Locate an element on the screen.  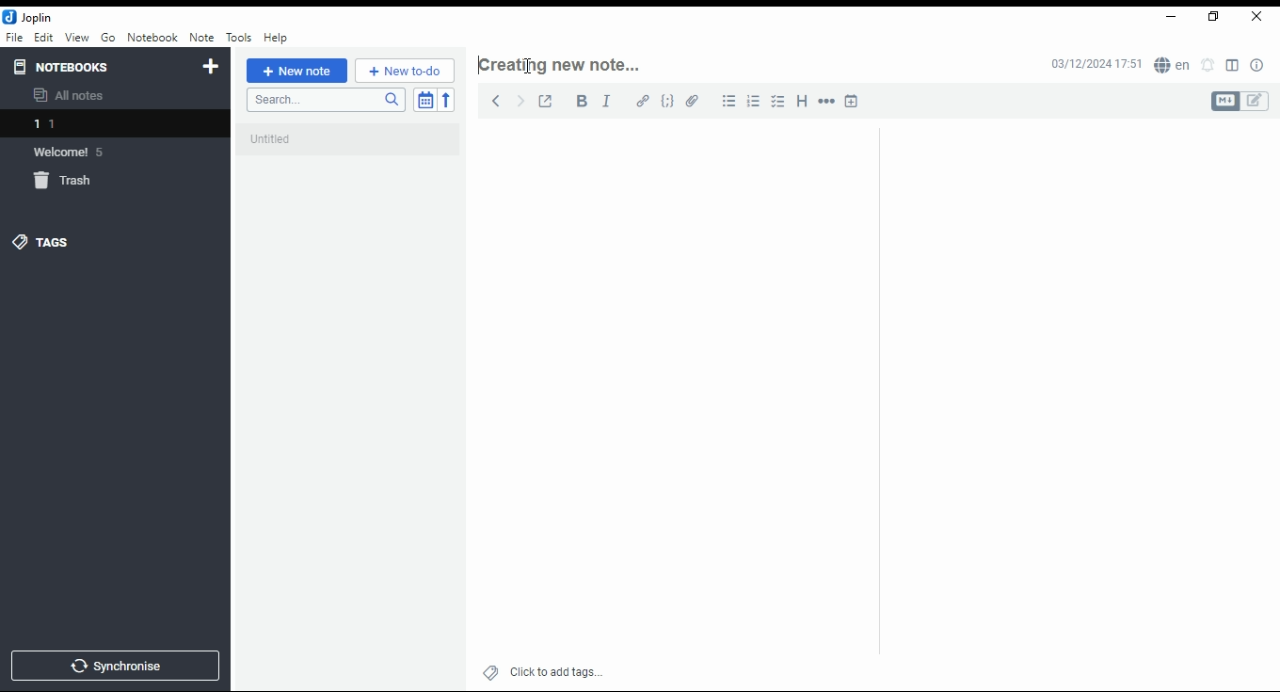
untitled is located at coordinates (353, 146).